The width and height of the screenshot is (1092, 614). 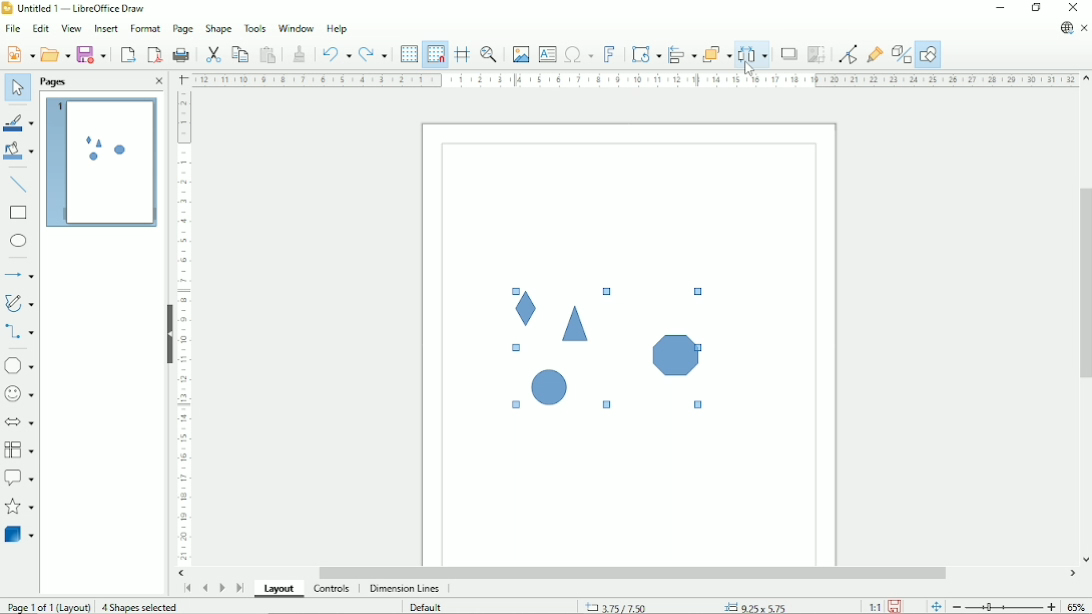 I want to click on Scaling factor, so click(x=874, y=606).